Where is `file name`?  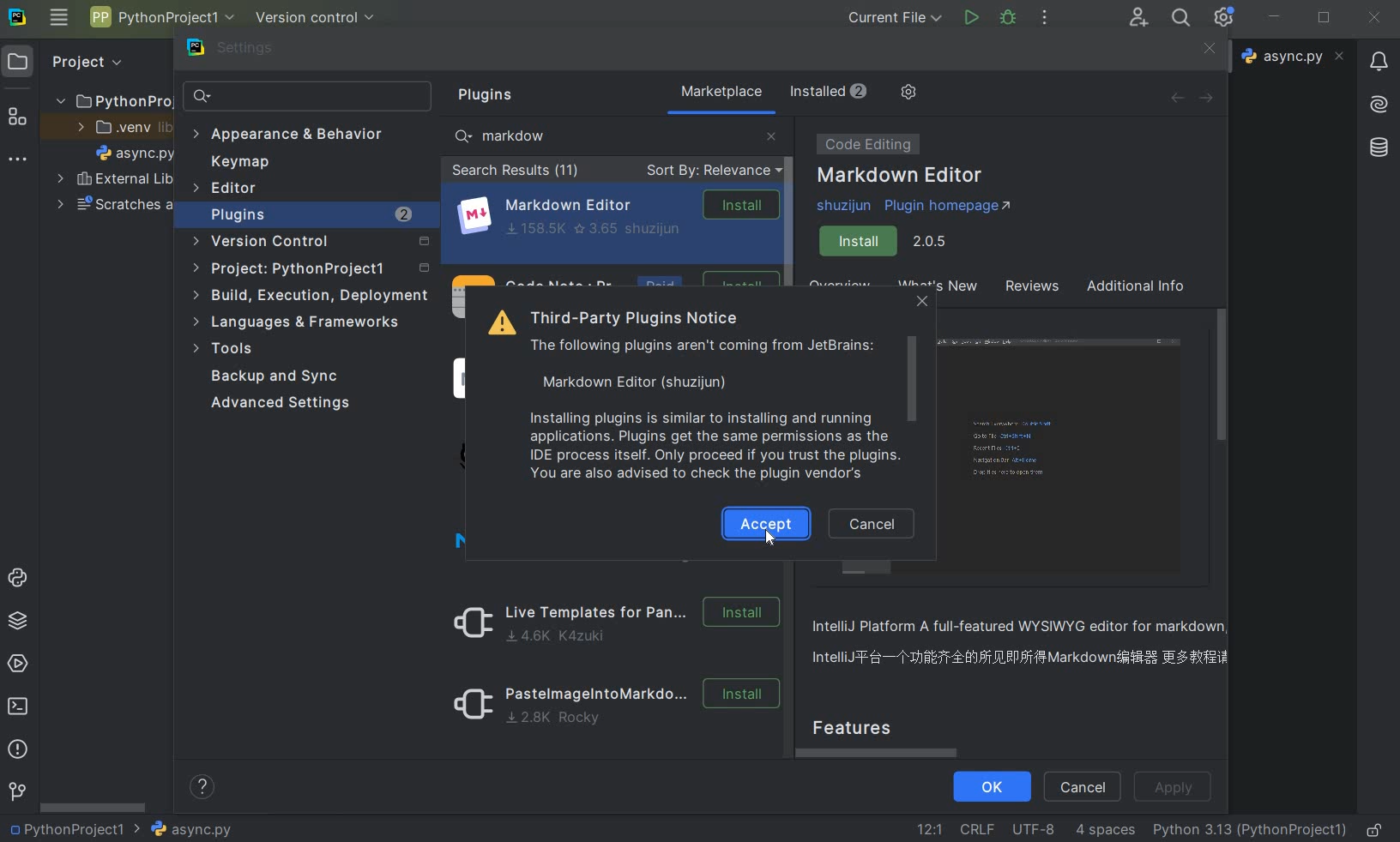 file name is located at coordinates (136, 153).